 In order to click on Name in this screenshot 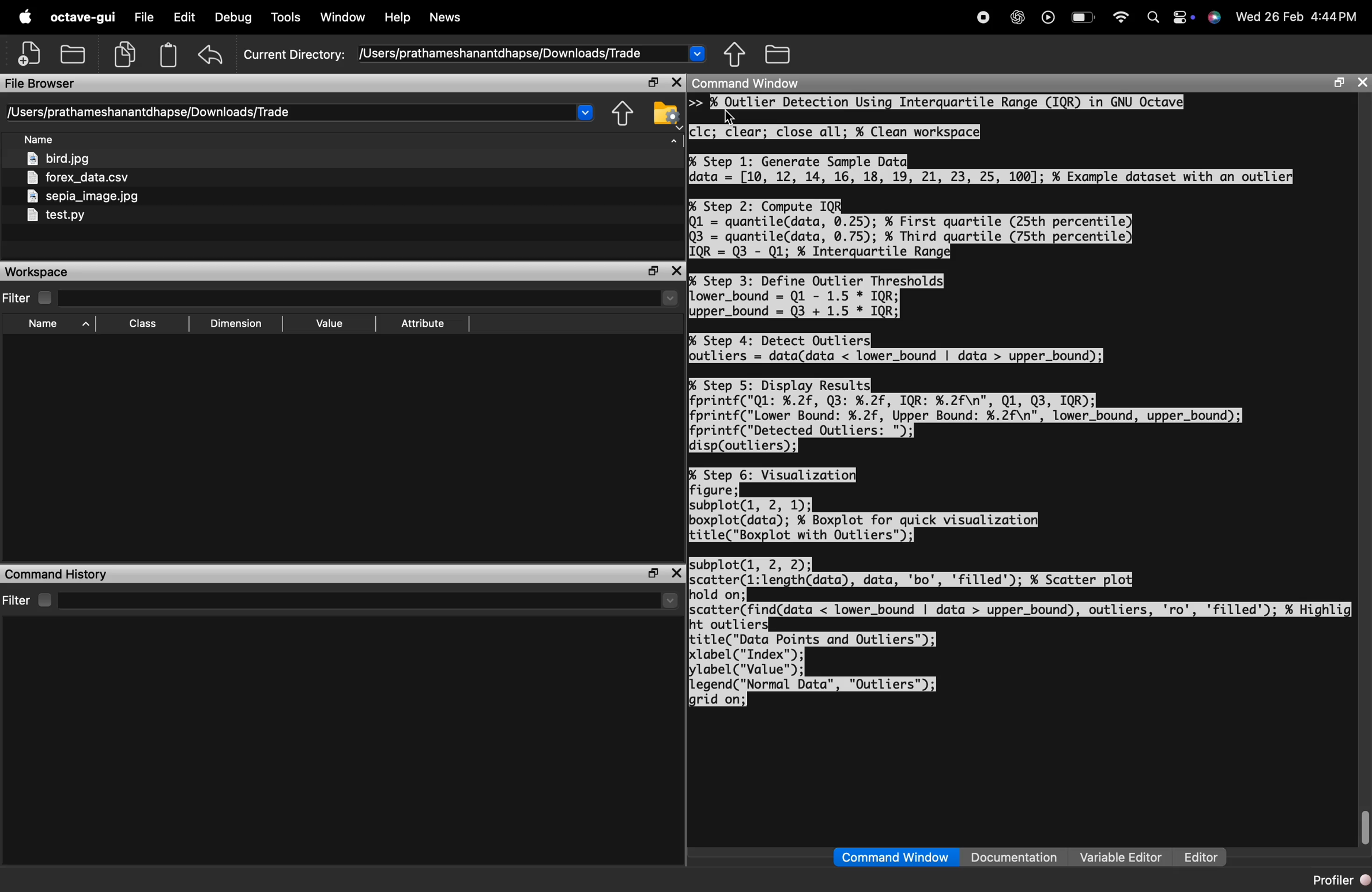, I will do `click(39, 138)`.